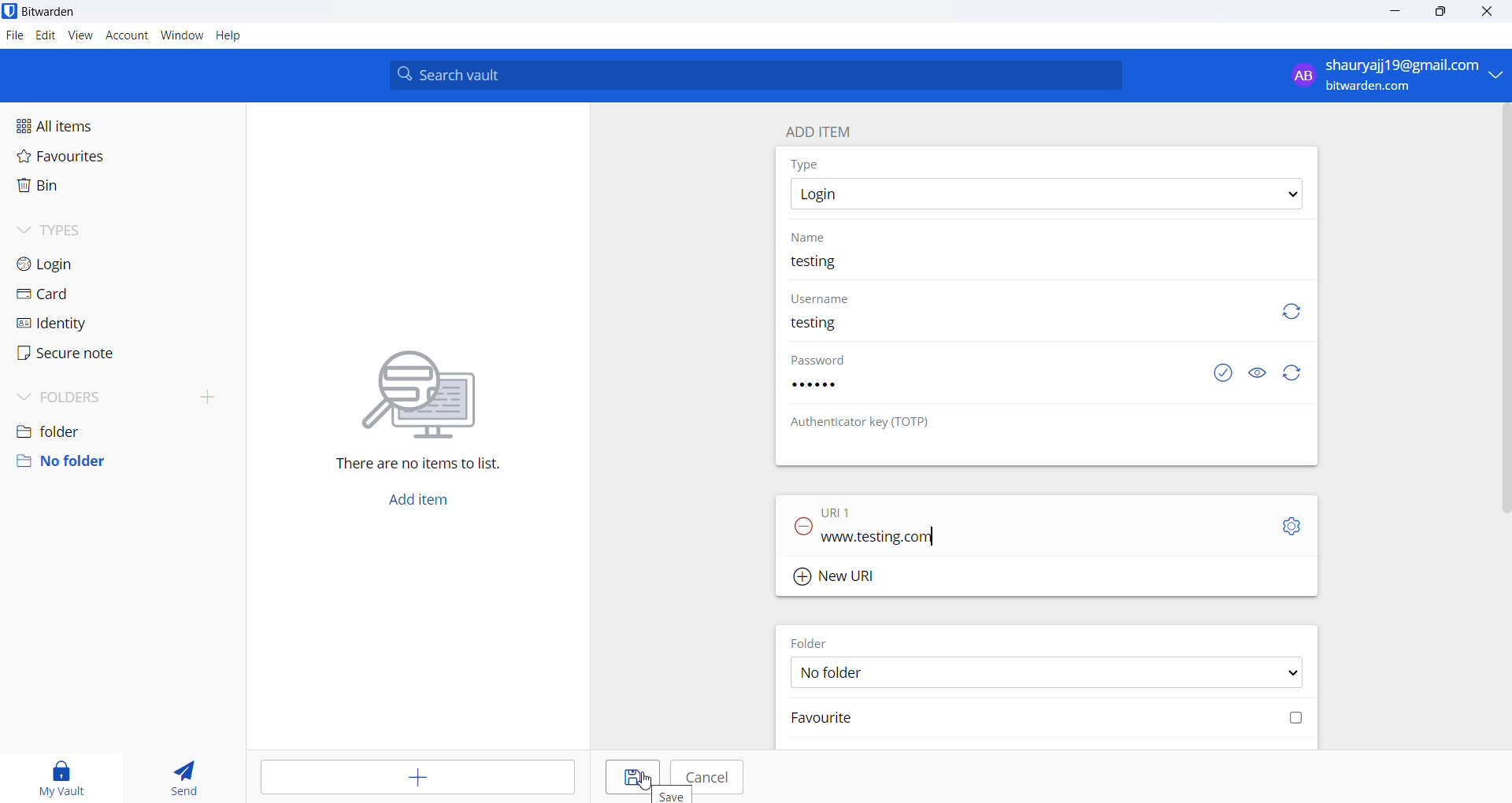  I want to click on account, so click(125, 36).